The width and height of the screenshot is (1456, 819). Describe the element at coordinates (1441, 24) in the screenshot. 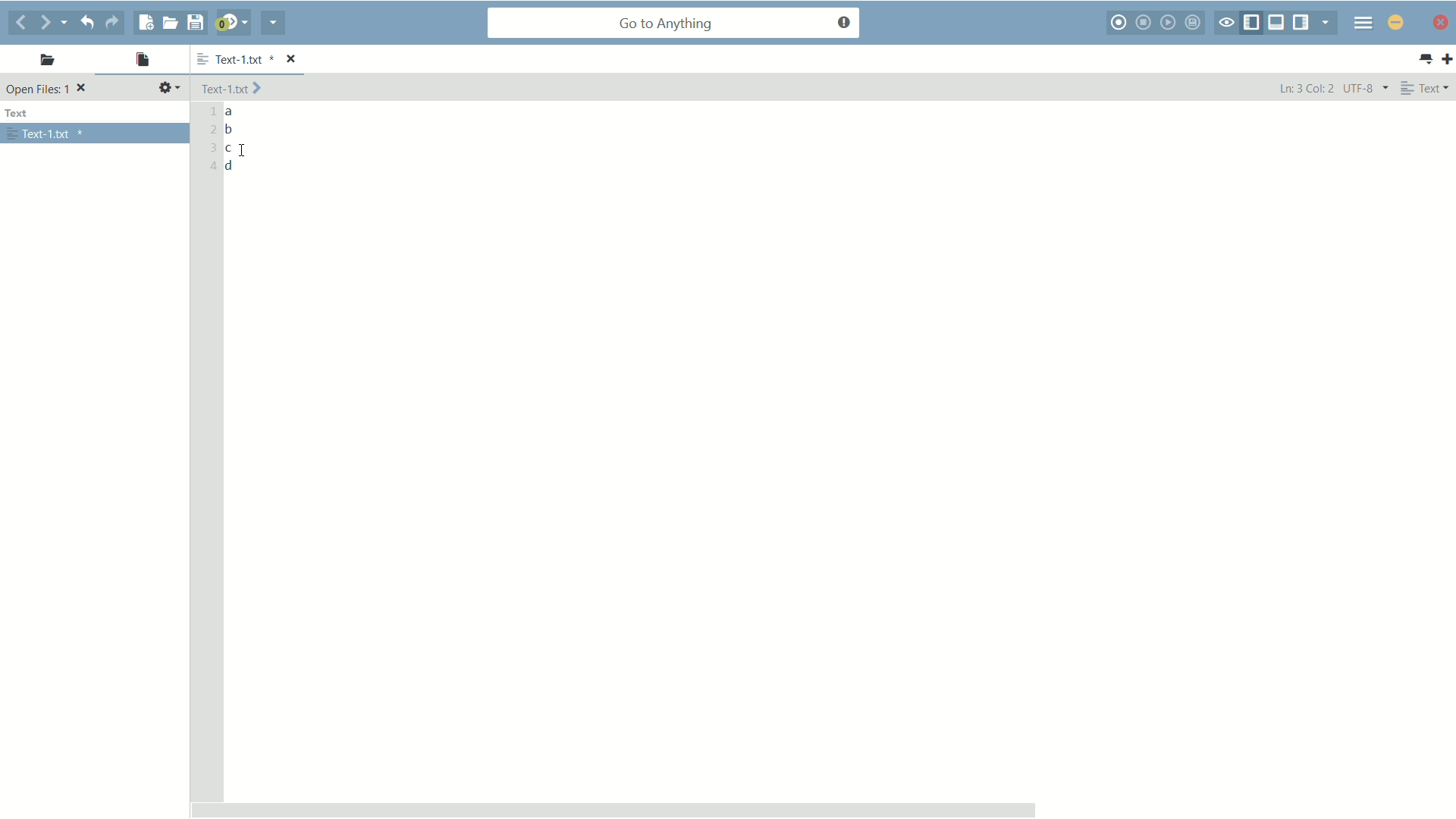

I see `minimize` at that location.